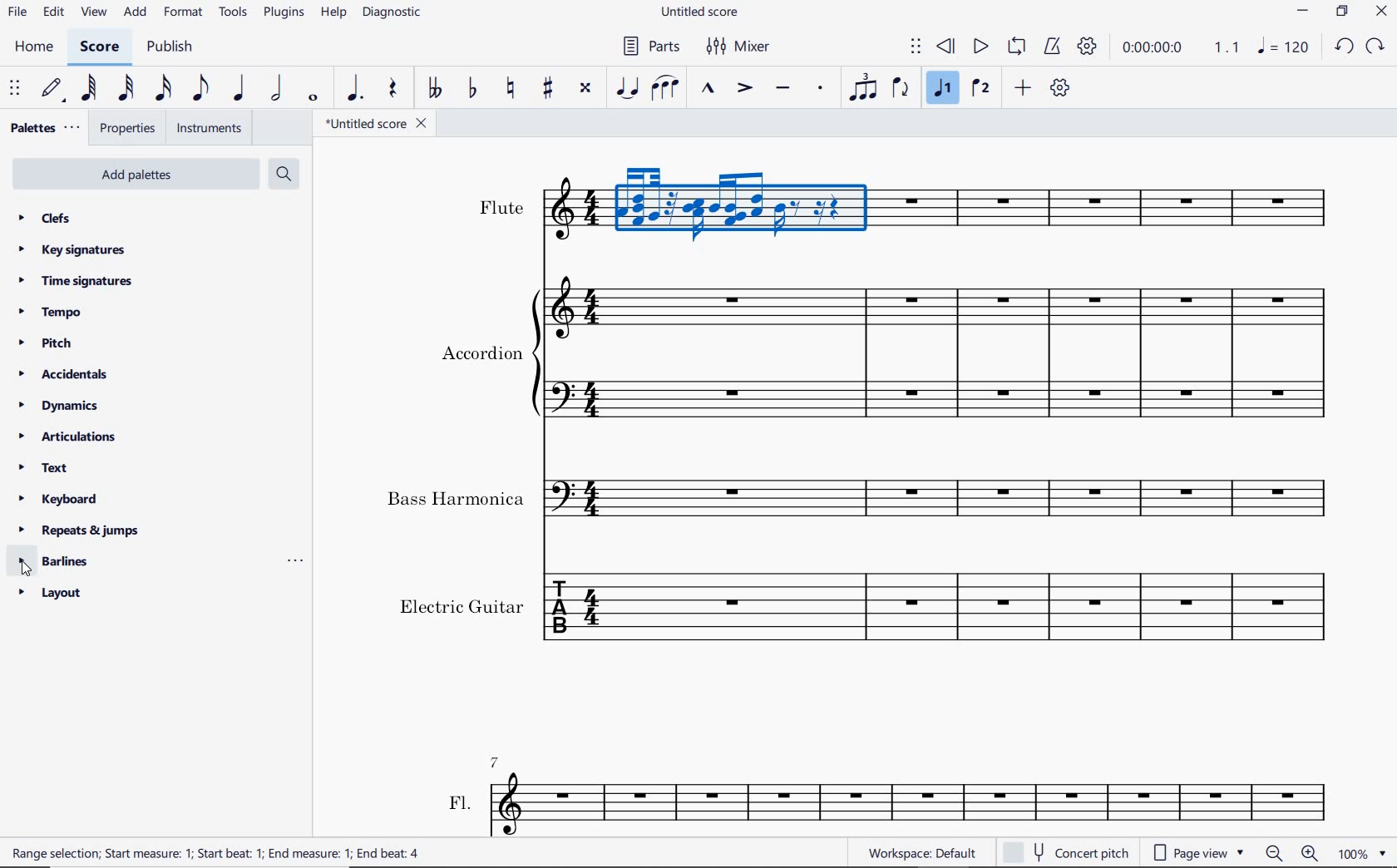 The image size is (1397, 868). Describe the element at coordinates (550, 89) in the screenshot. I see `toggle sharp` at that location.